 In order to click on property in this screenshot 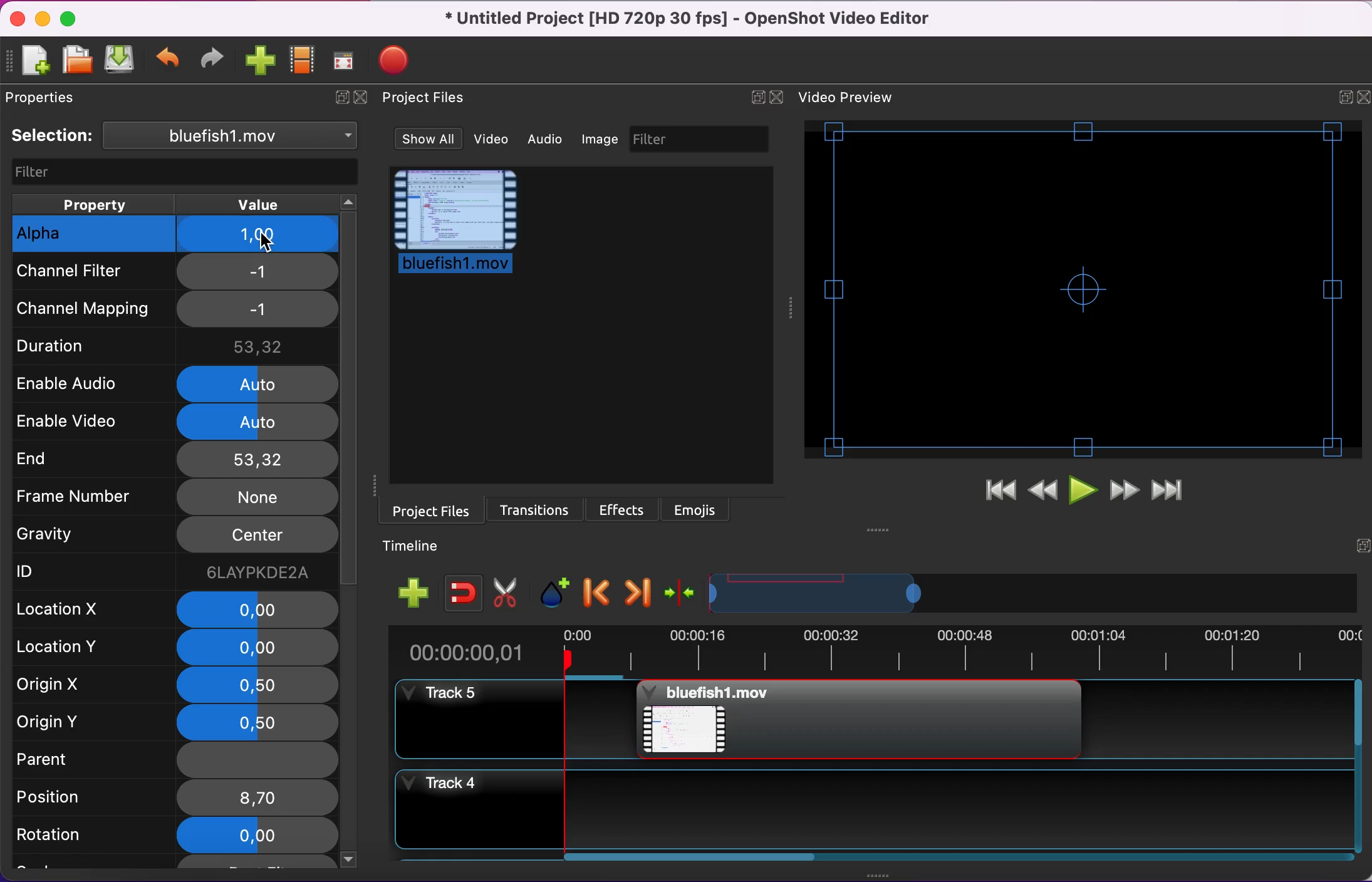, I will do `click(96, 203)`.